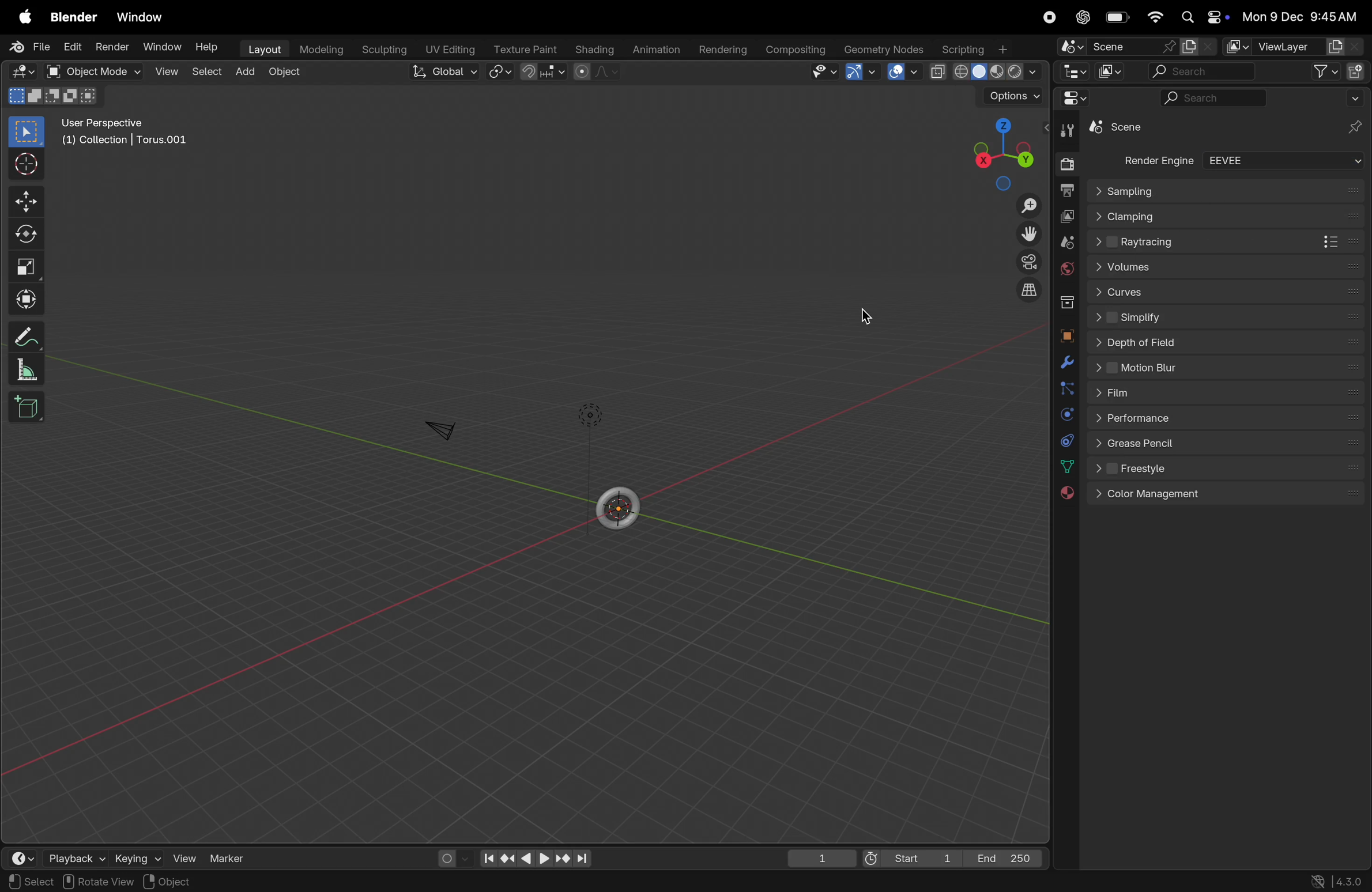 Image resolution: width=1372 pixels, height=892 pixels. What do you see at coordinates (1113, 46) in the screenshot?
I see `scene` at bounding box center [1113, 46].